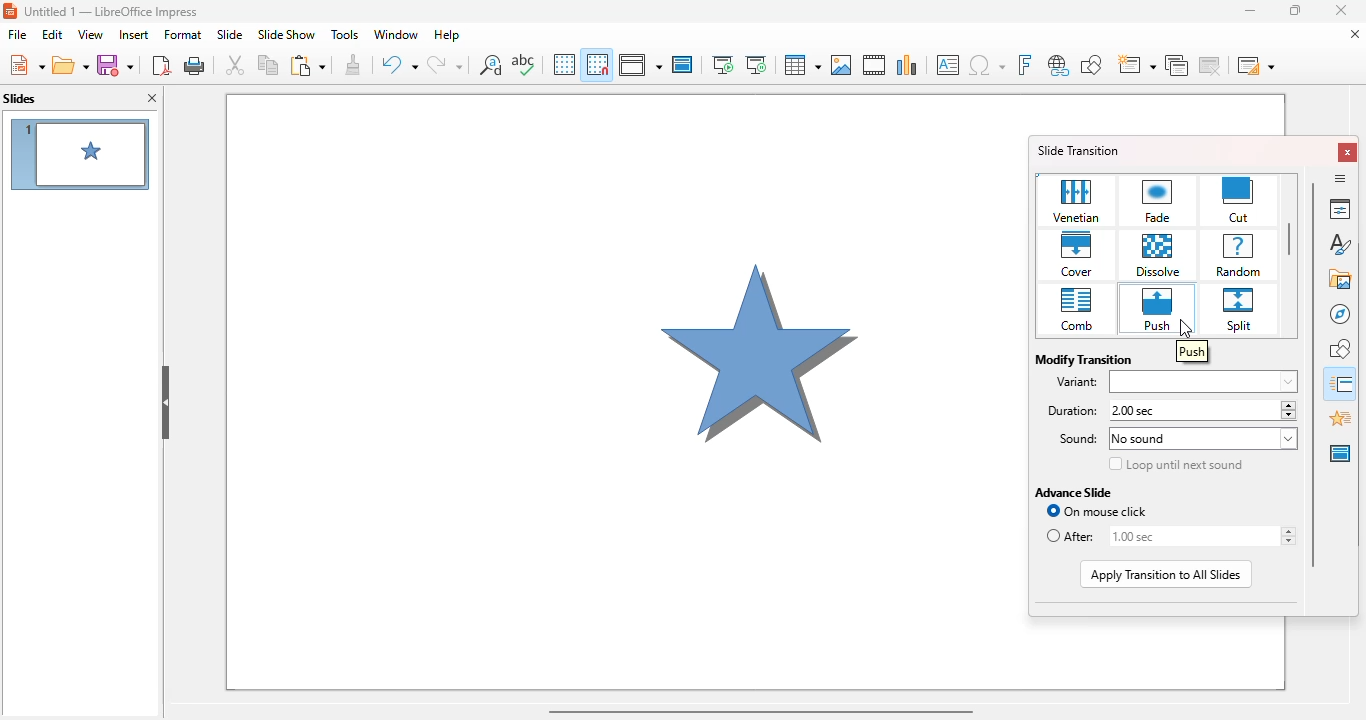 The width and height of the screenshot is (1366, 720). I want to click on properties, so click(1339, 208).